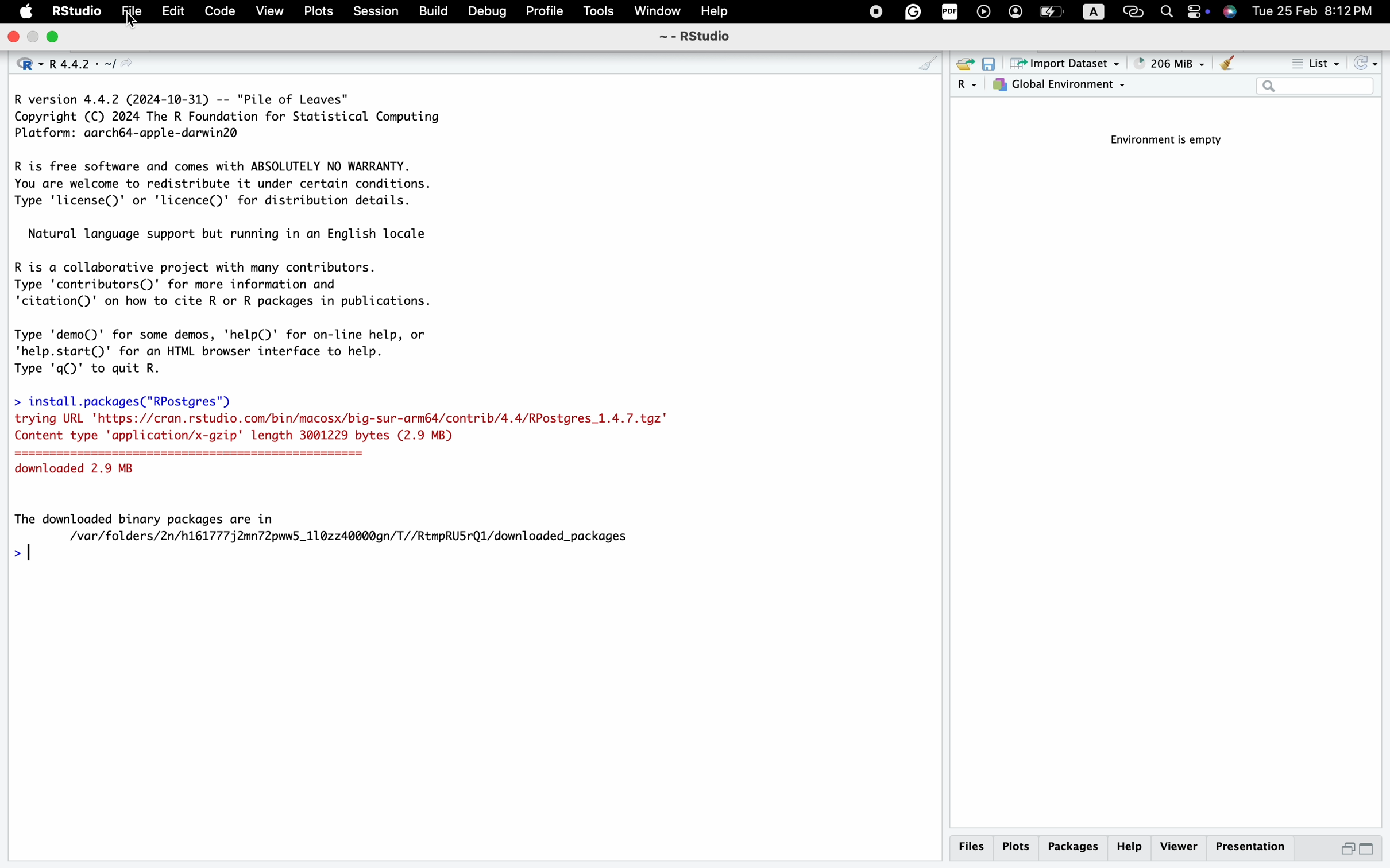  I want to click on refresh the list of objects in the environment, so click(1368, 65).